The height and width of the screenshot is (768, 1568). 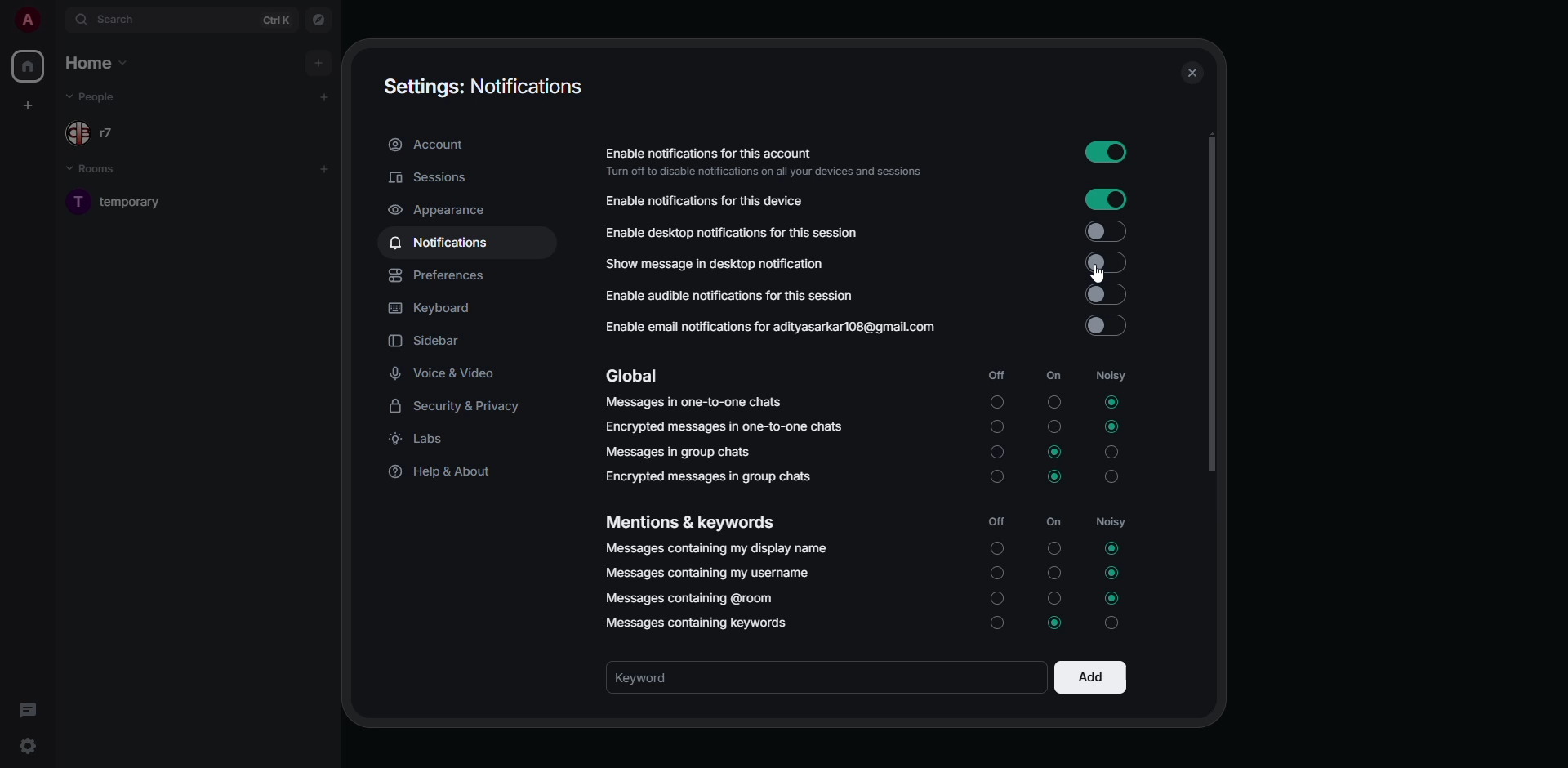 What do you see at coordinates (134, 201) in the screenshot?
I see `room` at bounding box center [134, 201].